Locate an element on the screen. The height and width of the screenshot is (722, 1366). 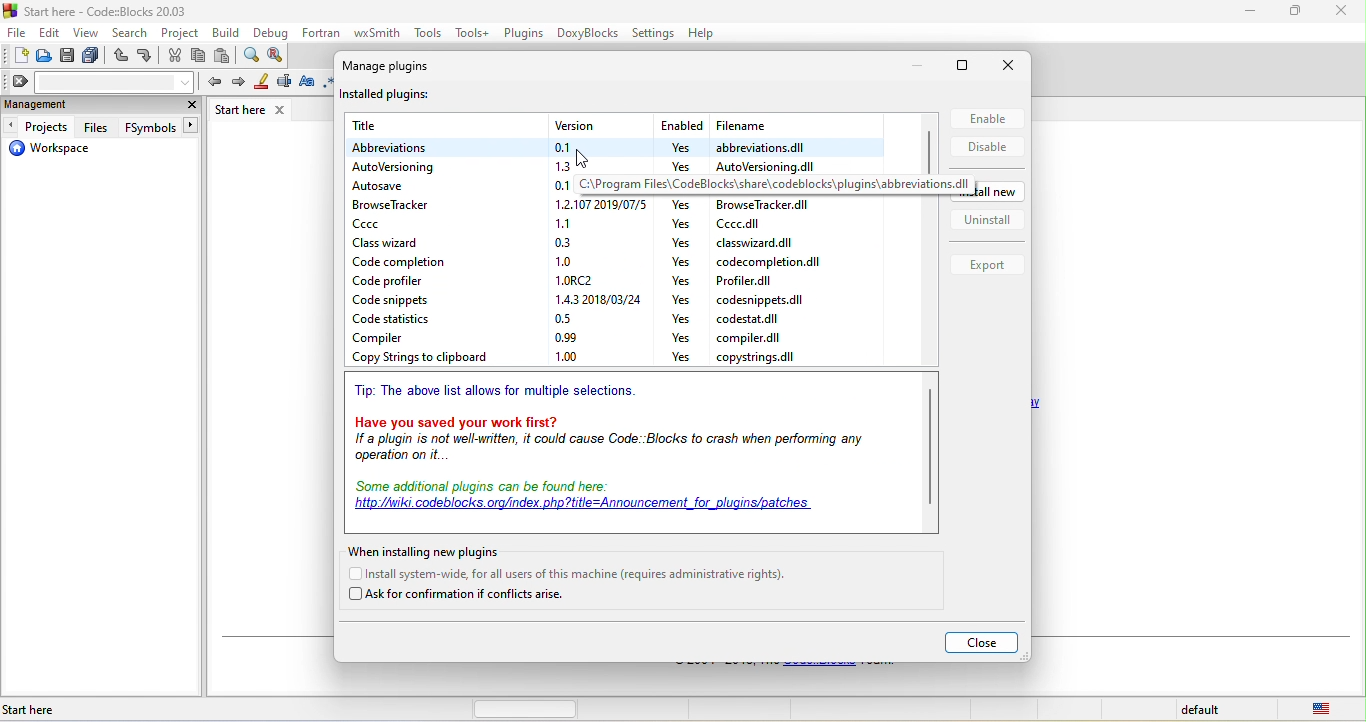
start here is located at coordinates (254, 110).